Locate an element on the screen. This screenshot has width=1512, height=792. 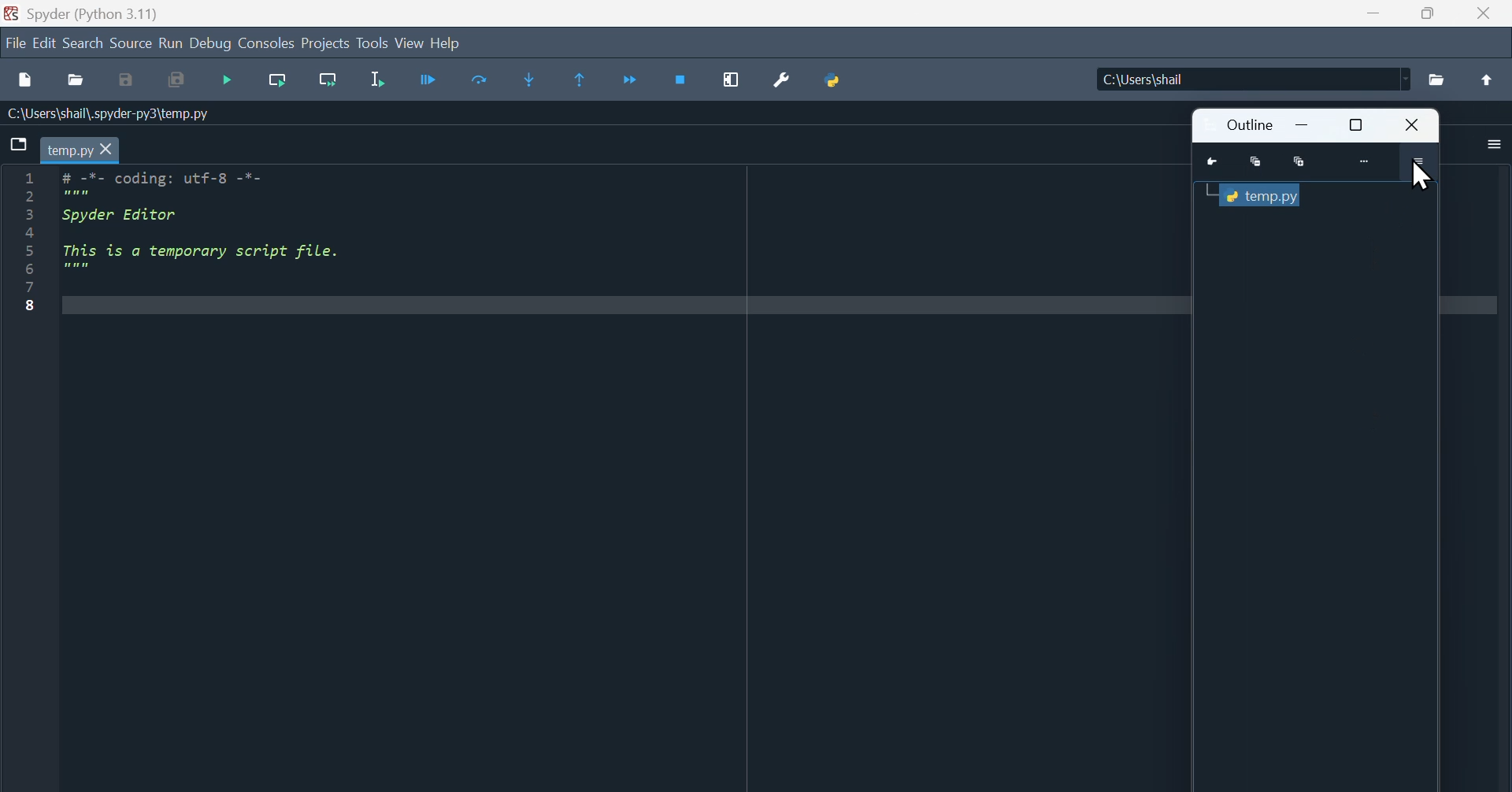
Run is located at coordinates (430, 79).